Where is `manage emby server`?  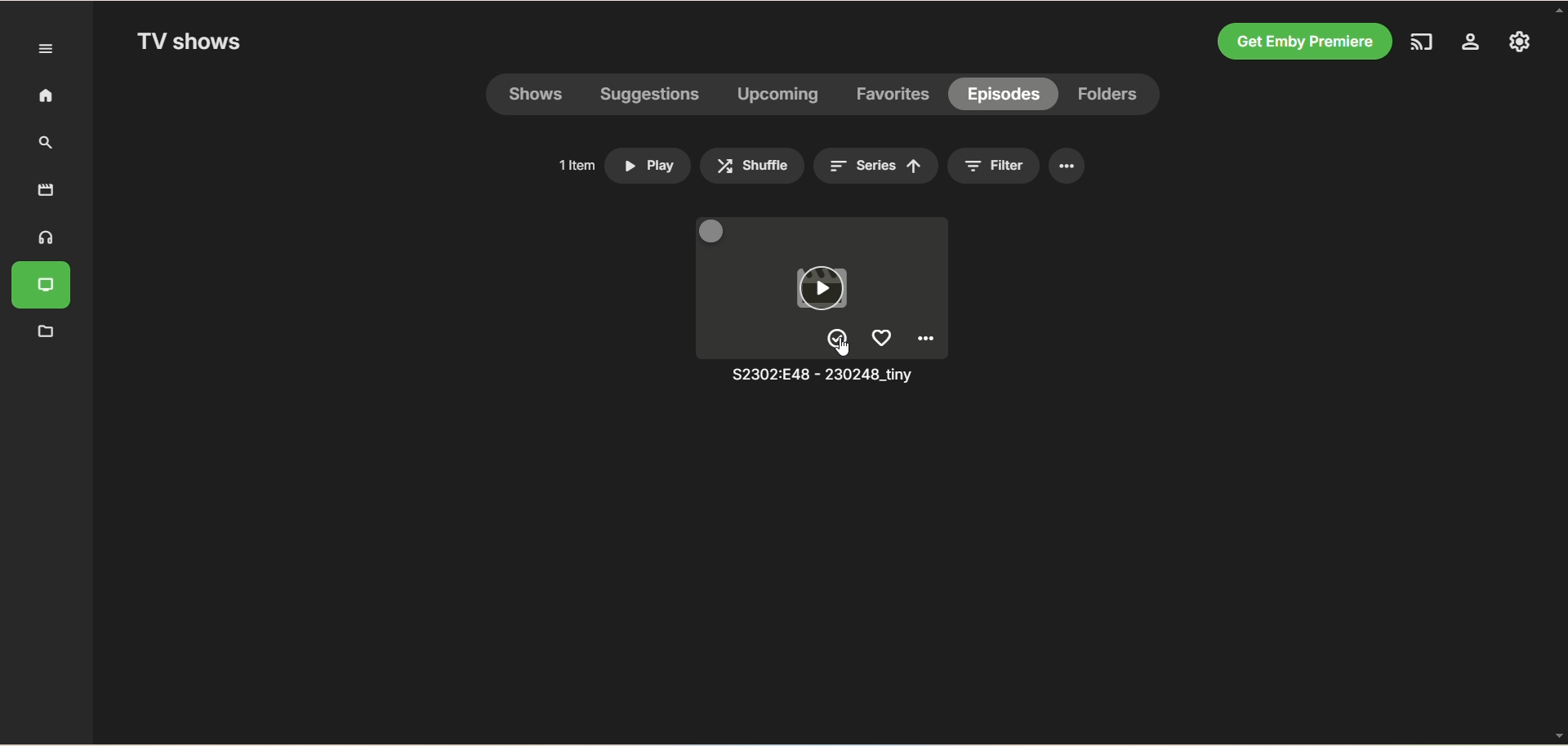 manage emby server is located at coordinates (1517, 43).